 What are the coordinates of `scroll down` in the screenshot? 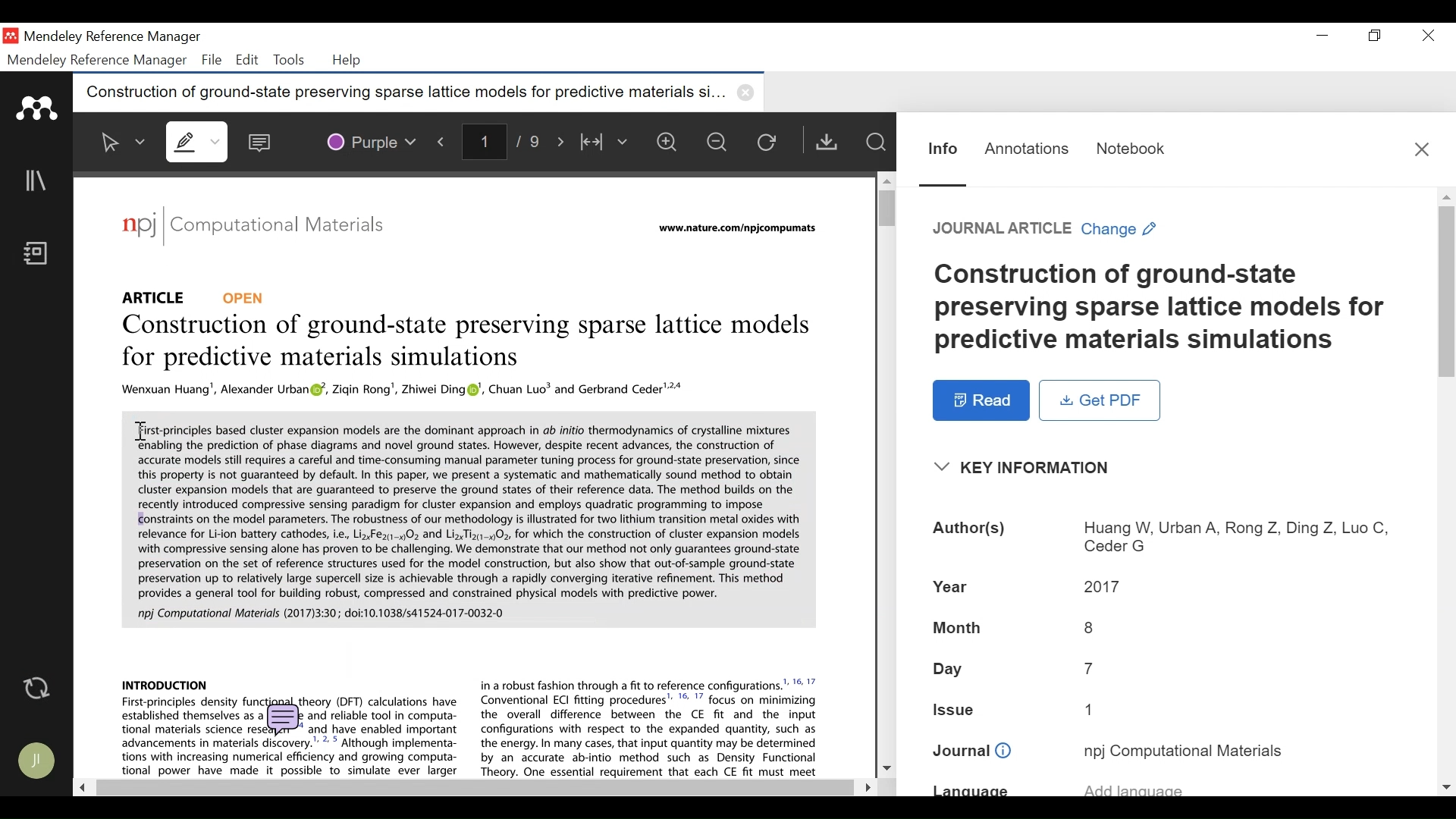 It's located at (1446, 787).